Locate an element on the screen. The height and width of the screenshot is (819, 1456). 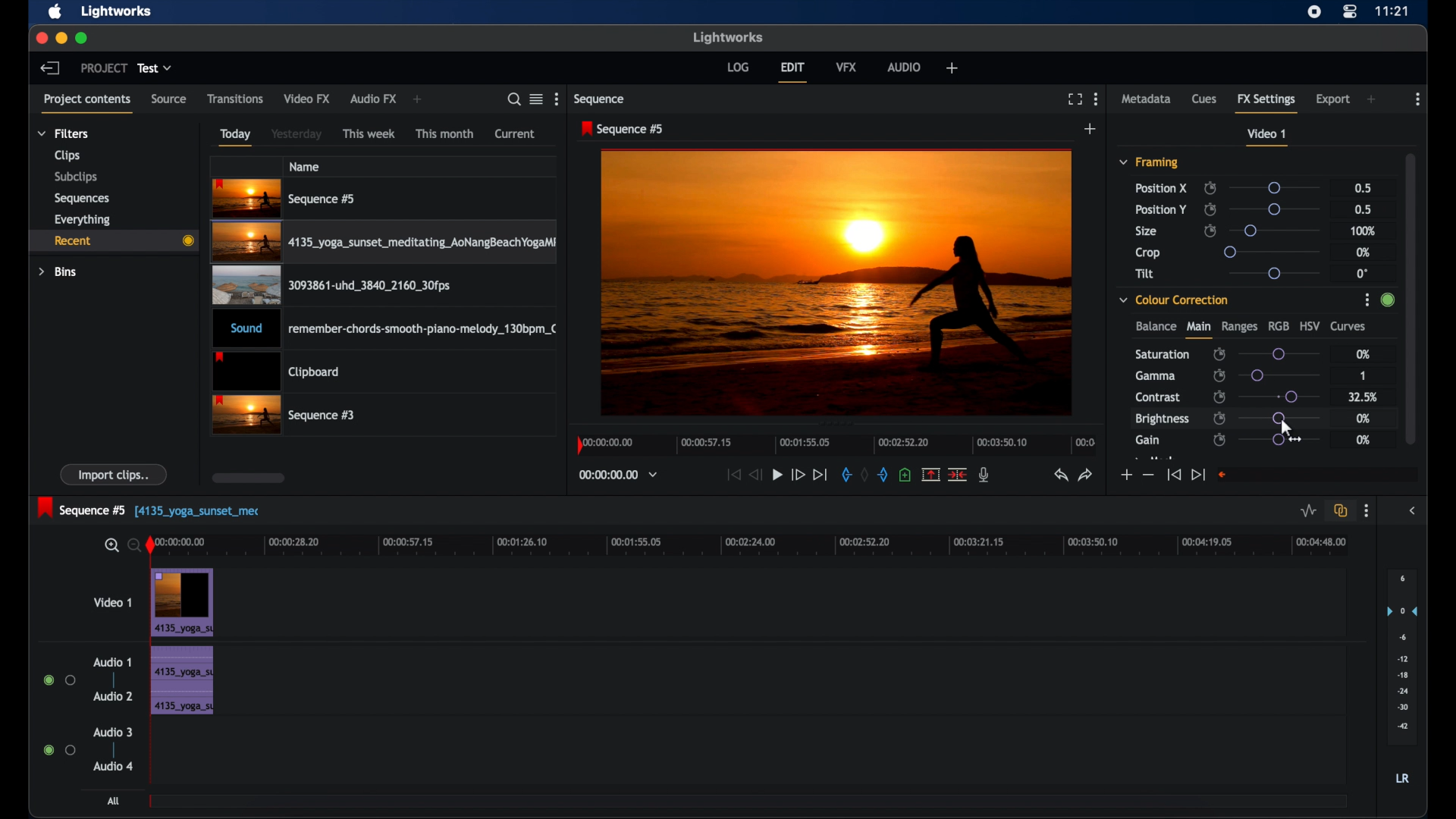
slider is located at coordinates (1269, 252).